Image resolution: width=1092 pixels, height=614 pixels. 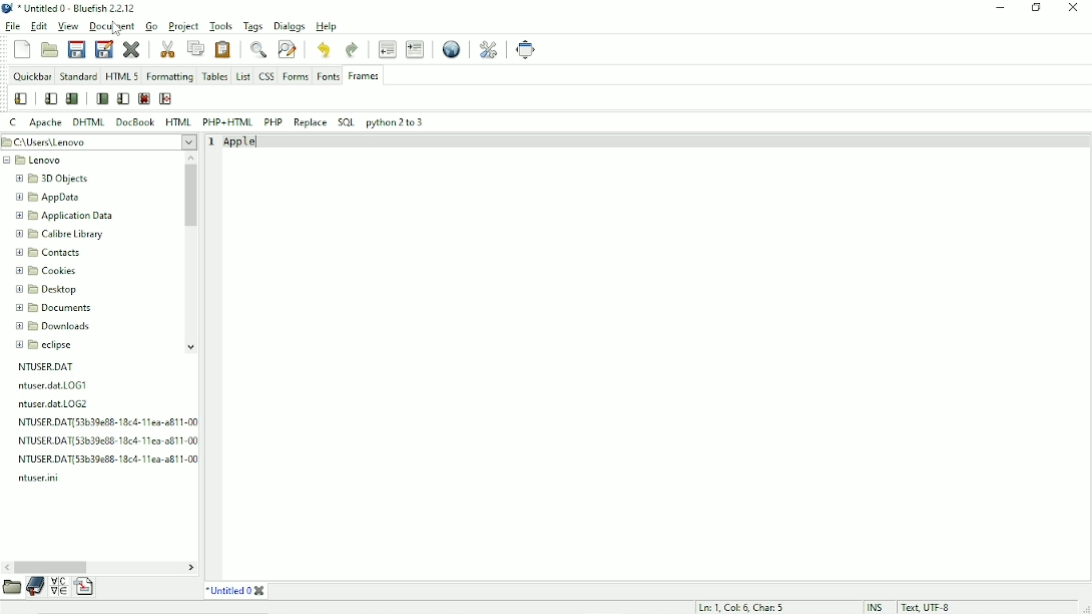 What do you see at coordinates (51, 252) in the screenshot?
I see `Contacts` at bounding box center [51, 252].